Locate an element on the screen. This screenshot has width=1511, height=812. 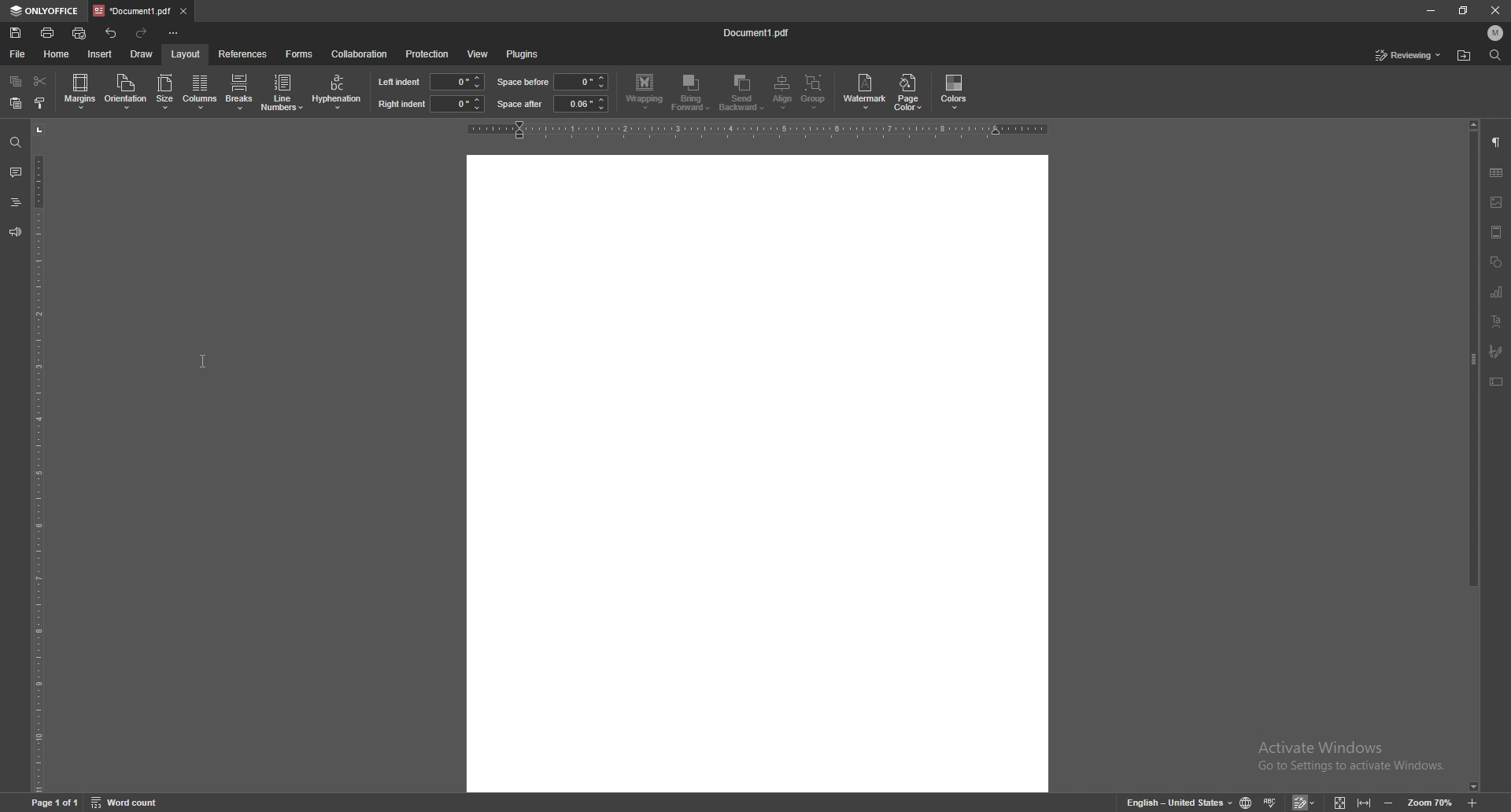
space after is located at coordinates (520, 104).